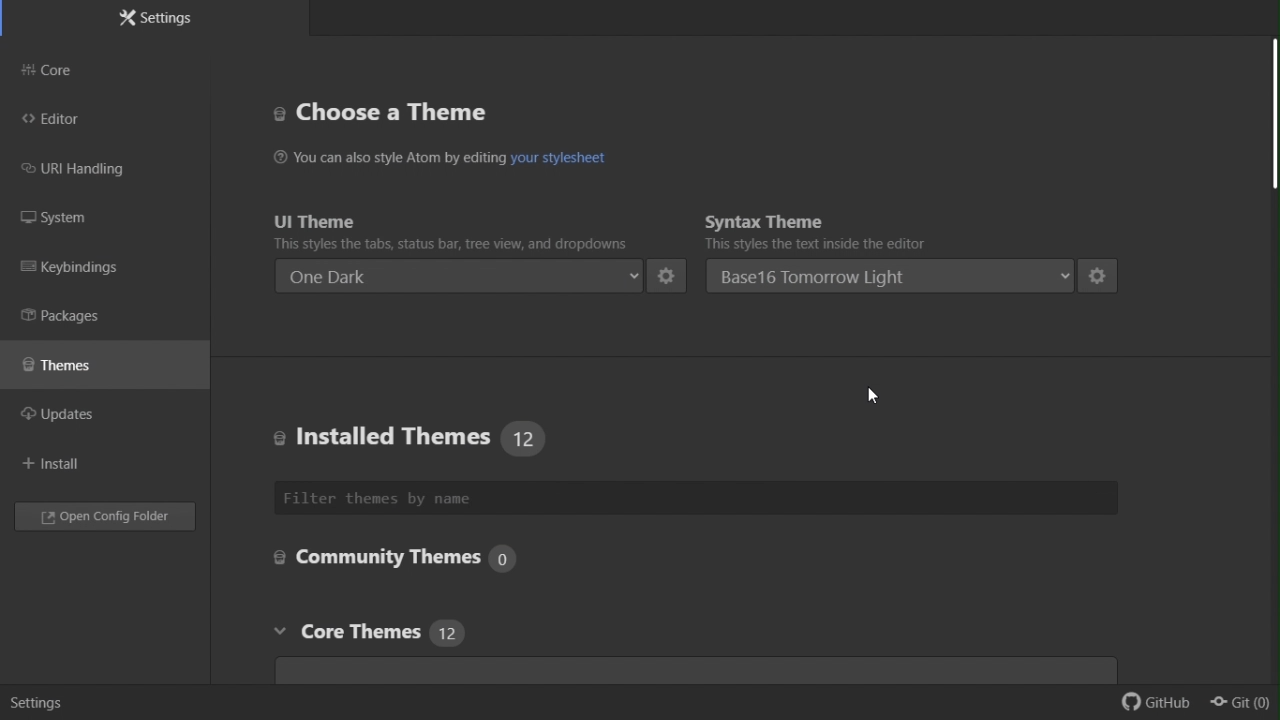  I want to click on git, so click(1242, 703).